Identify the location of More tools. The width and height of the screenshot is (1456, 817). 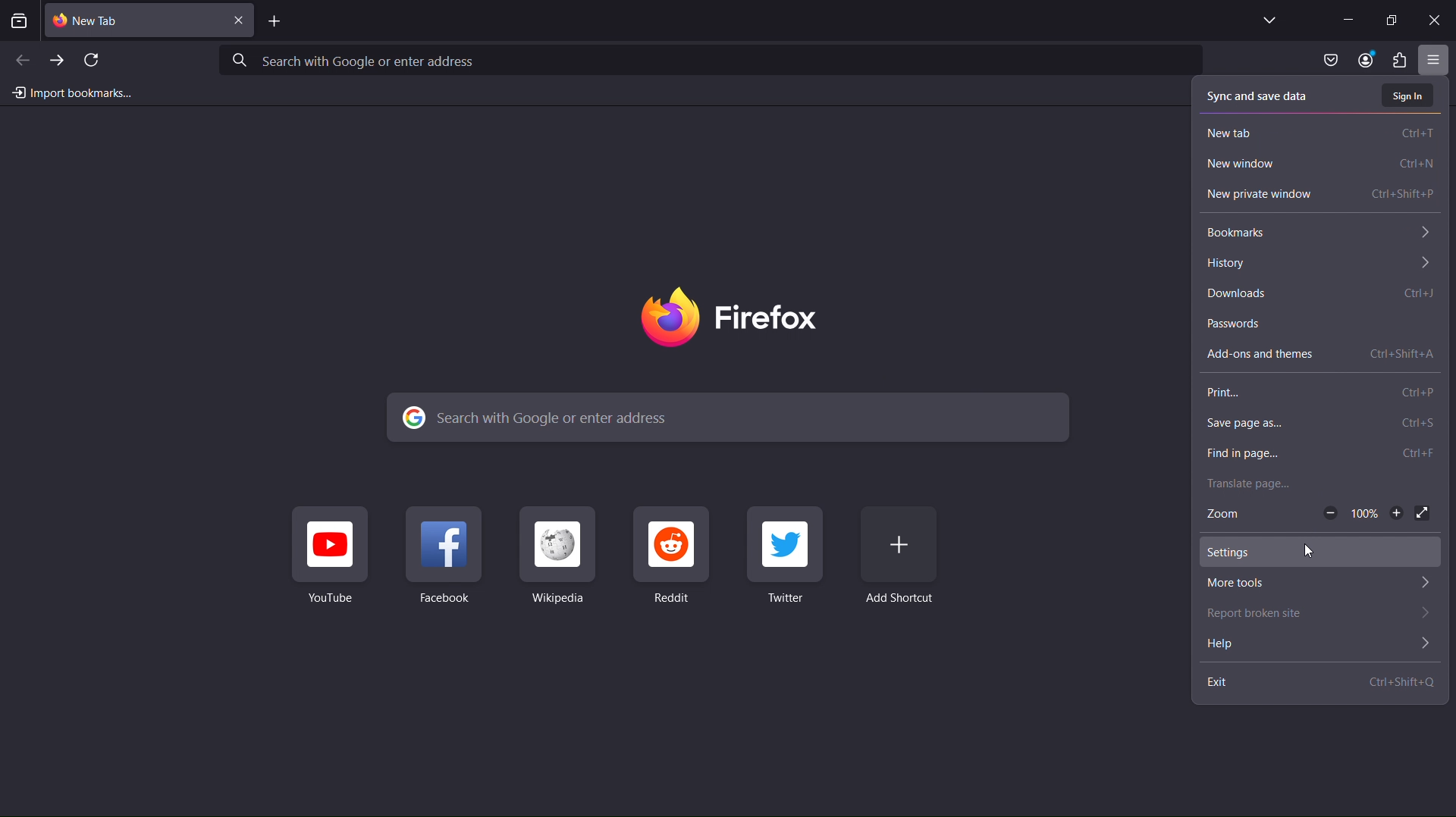
(1323, 584).